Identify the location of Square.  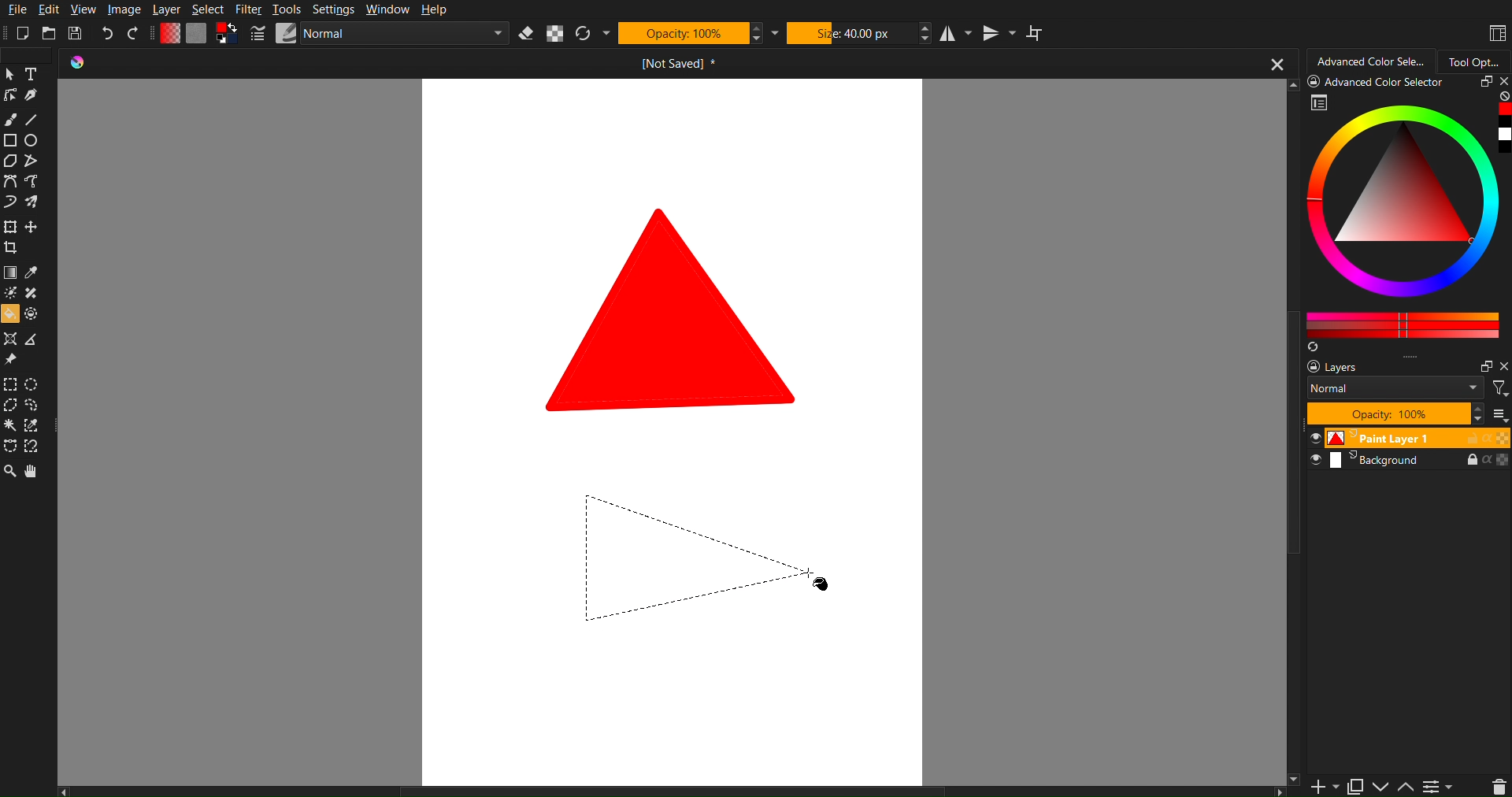
(9, 141).